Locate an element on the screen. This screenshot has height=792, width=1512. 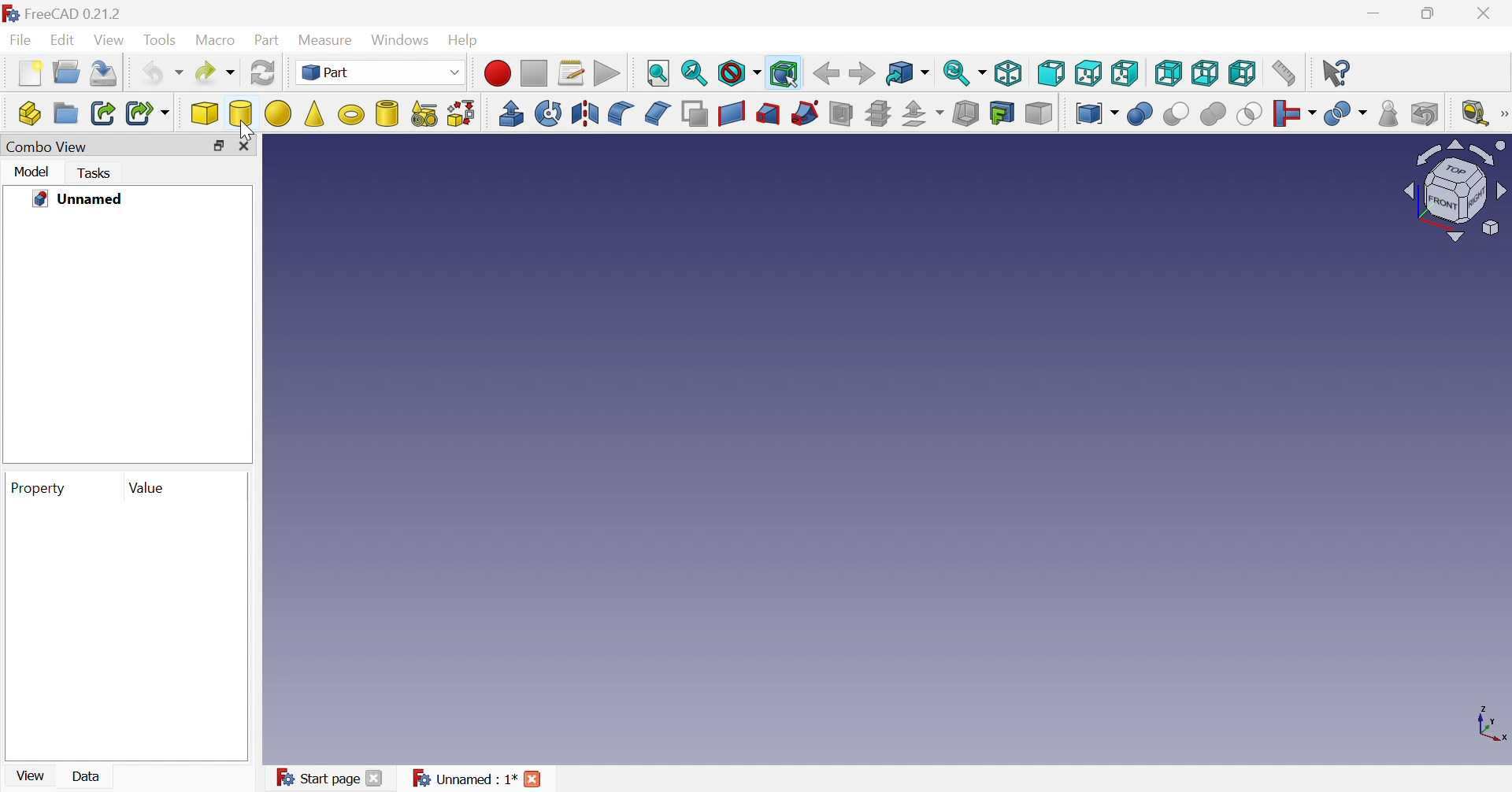
Viewing angle is located at coordinates (1454, 192).